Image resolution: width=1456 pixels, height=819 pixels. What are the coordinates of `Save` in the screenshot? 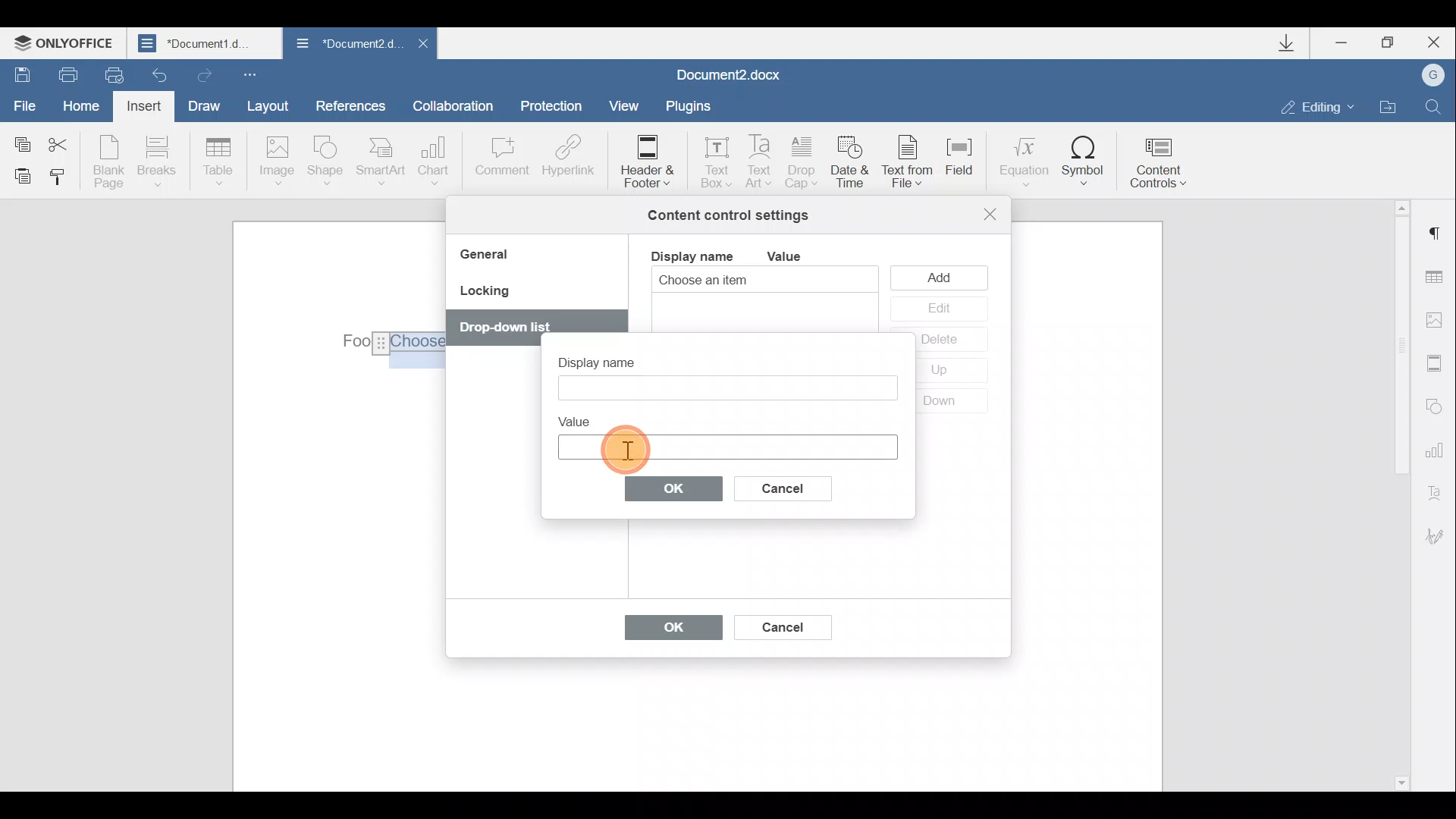 It's located at (17, 73).